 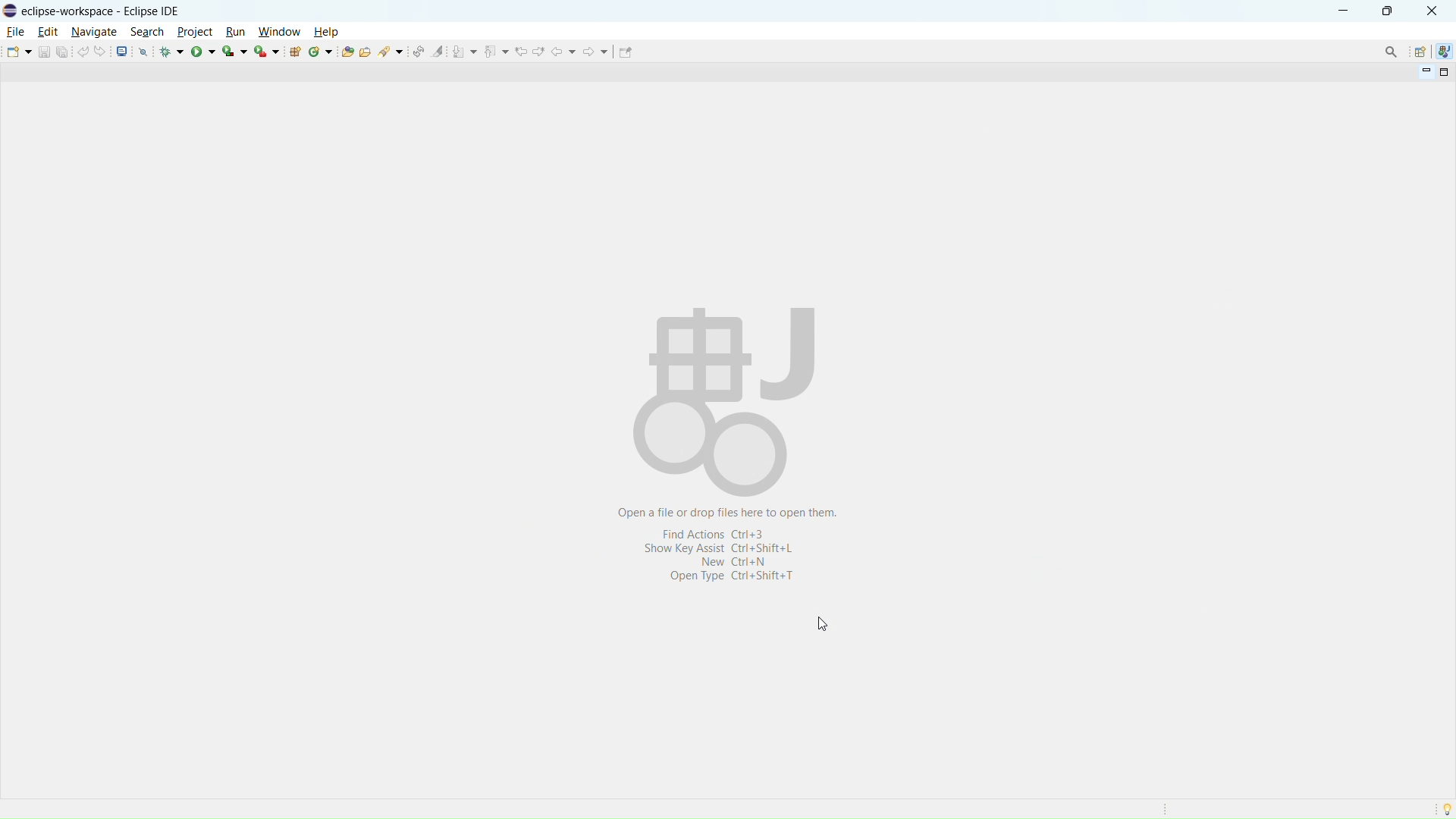 I want to click on java, so click(x=1444, y=50).